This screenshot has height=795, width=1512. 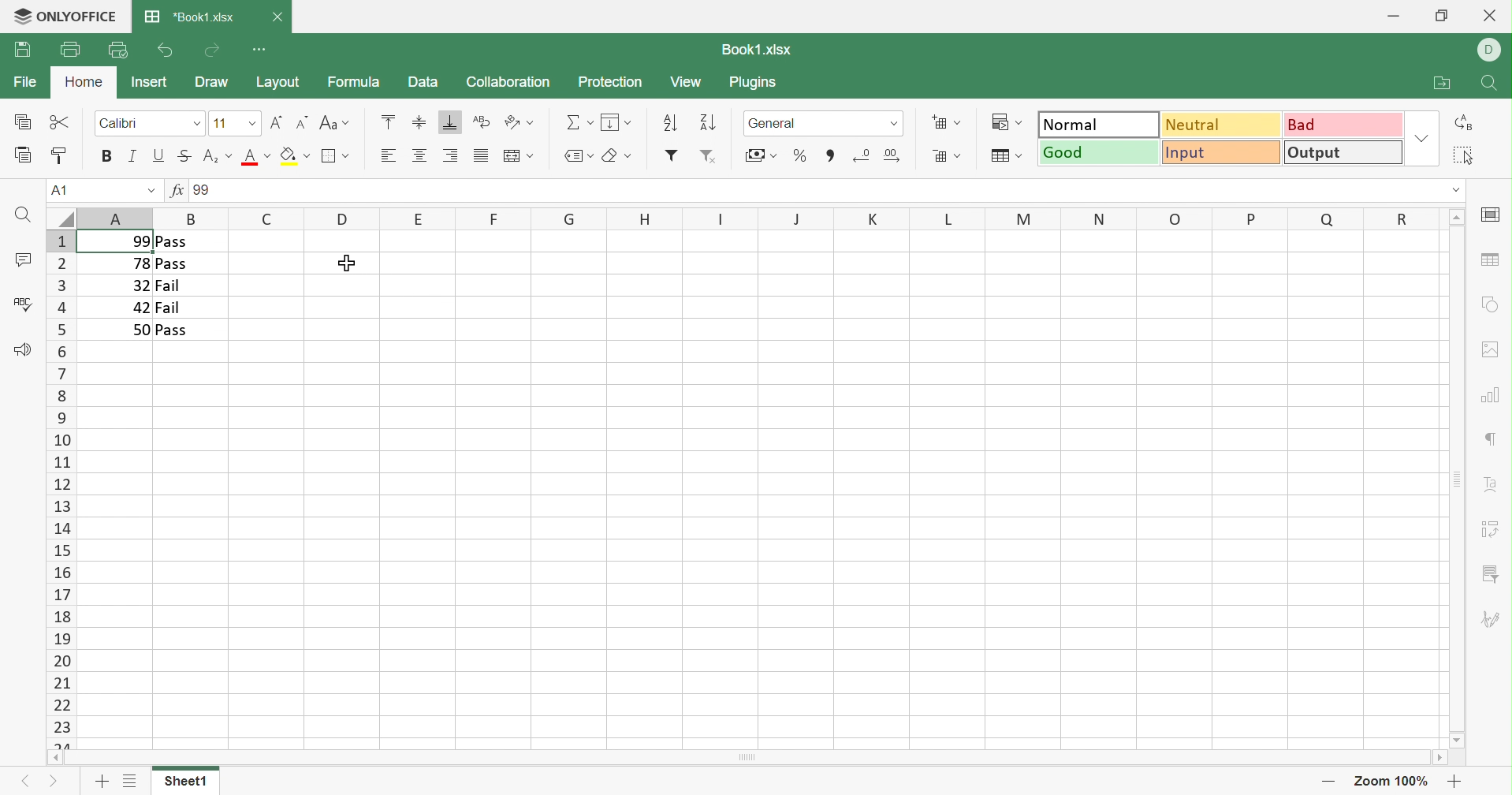 What do you see at coordinates (421, 80) in the screenshot?
I see `Data` at bounding box center [421, 80].